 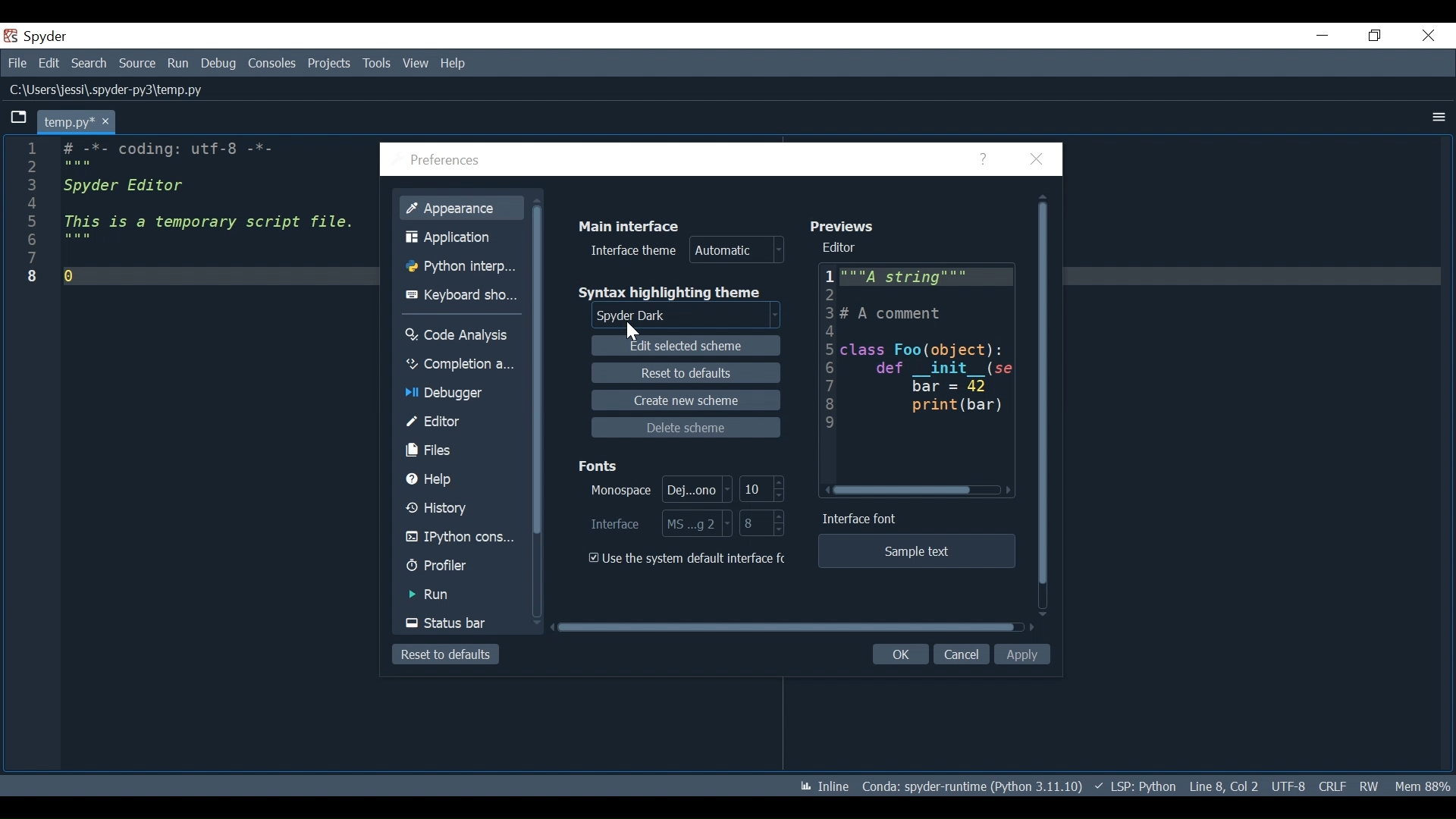 I want to click on Sample text, so click(x=918, y=550).